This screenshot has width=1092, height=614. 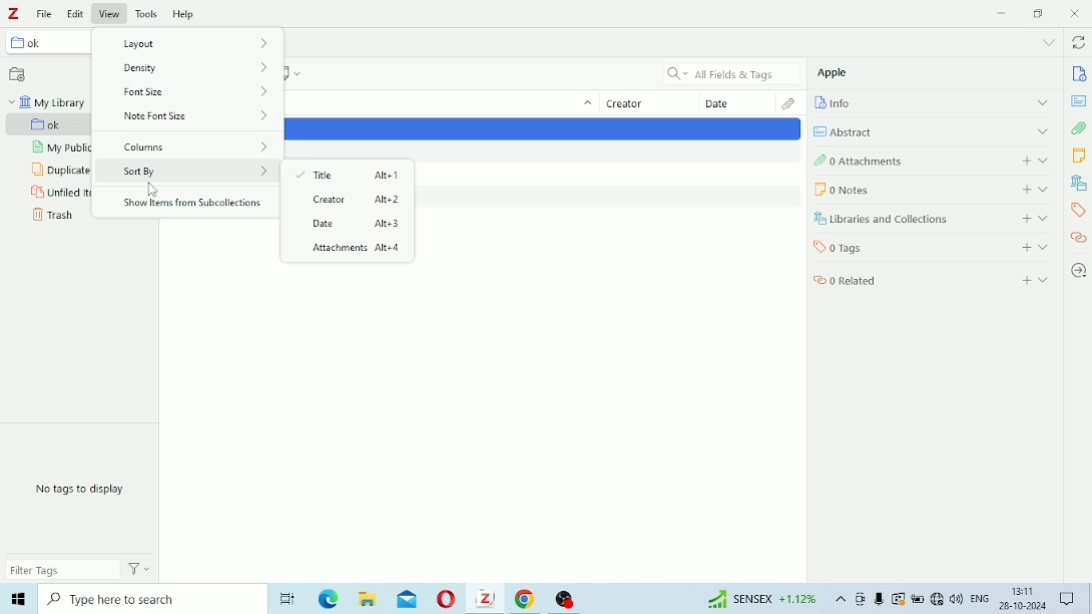 I want to click on expand, so click(x=1044, y=246).